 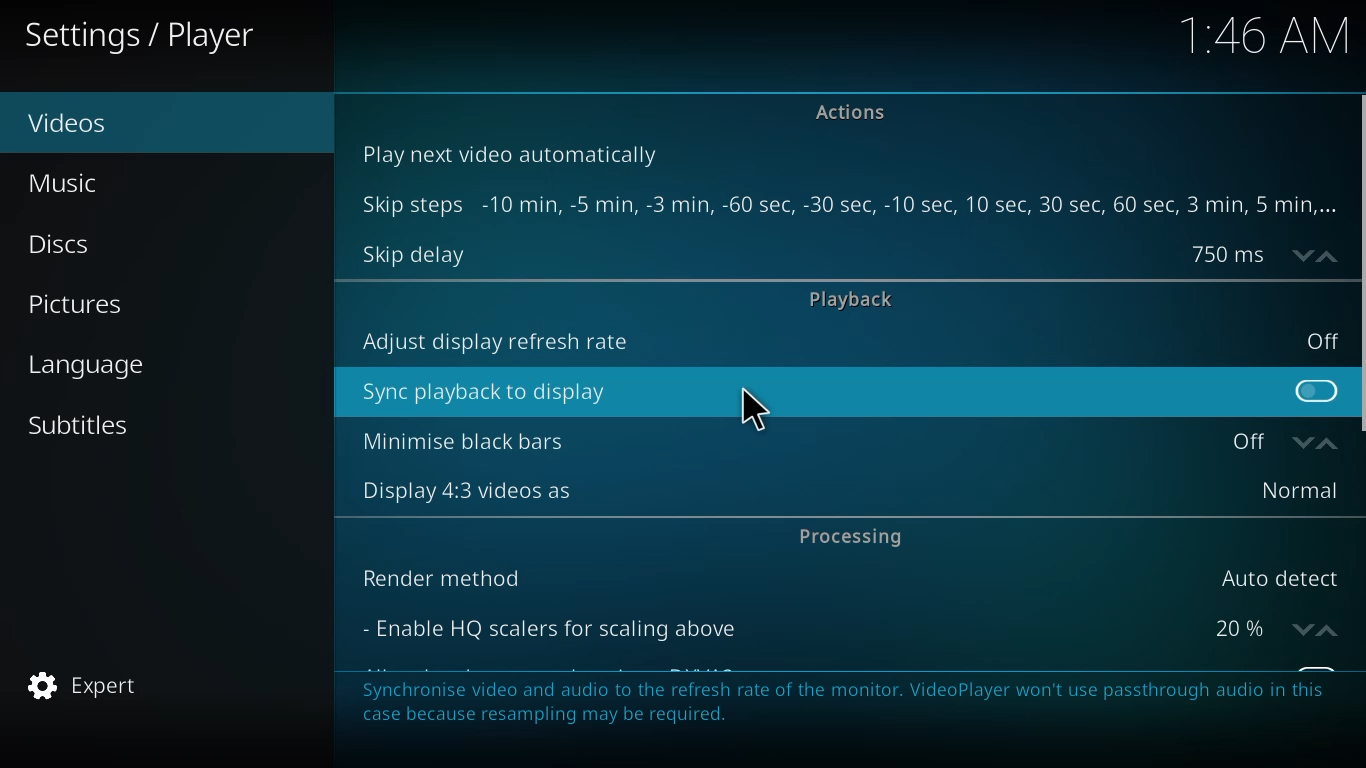 I want to click on time, so click(x=1259, y=34).